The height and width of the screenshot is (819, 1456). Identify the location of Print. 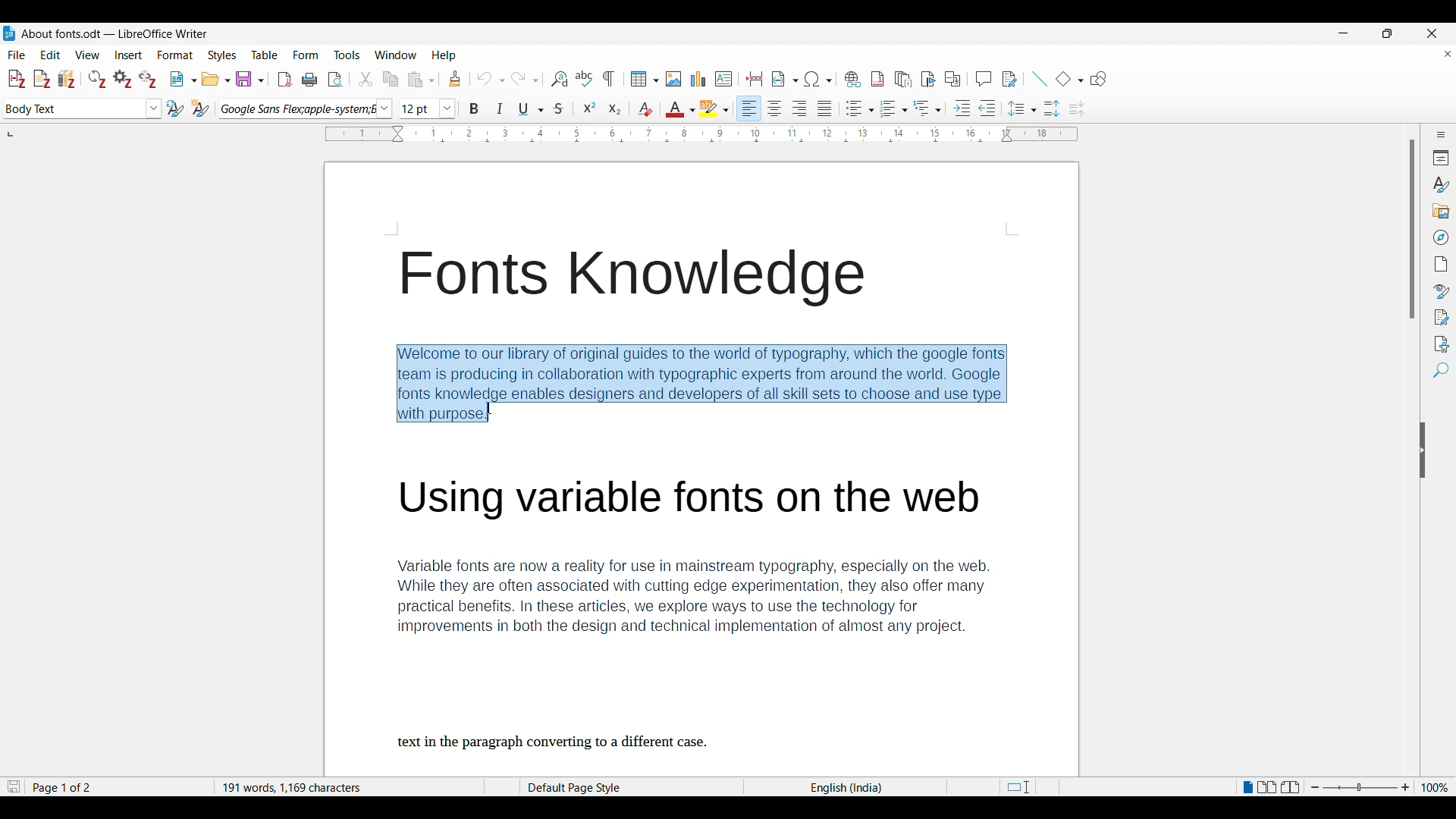
(309, 80).